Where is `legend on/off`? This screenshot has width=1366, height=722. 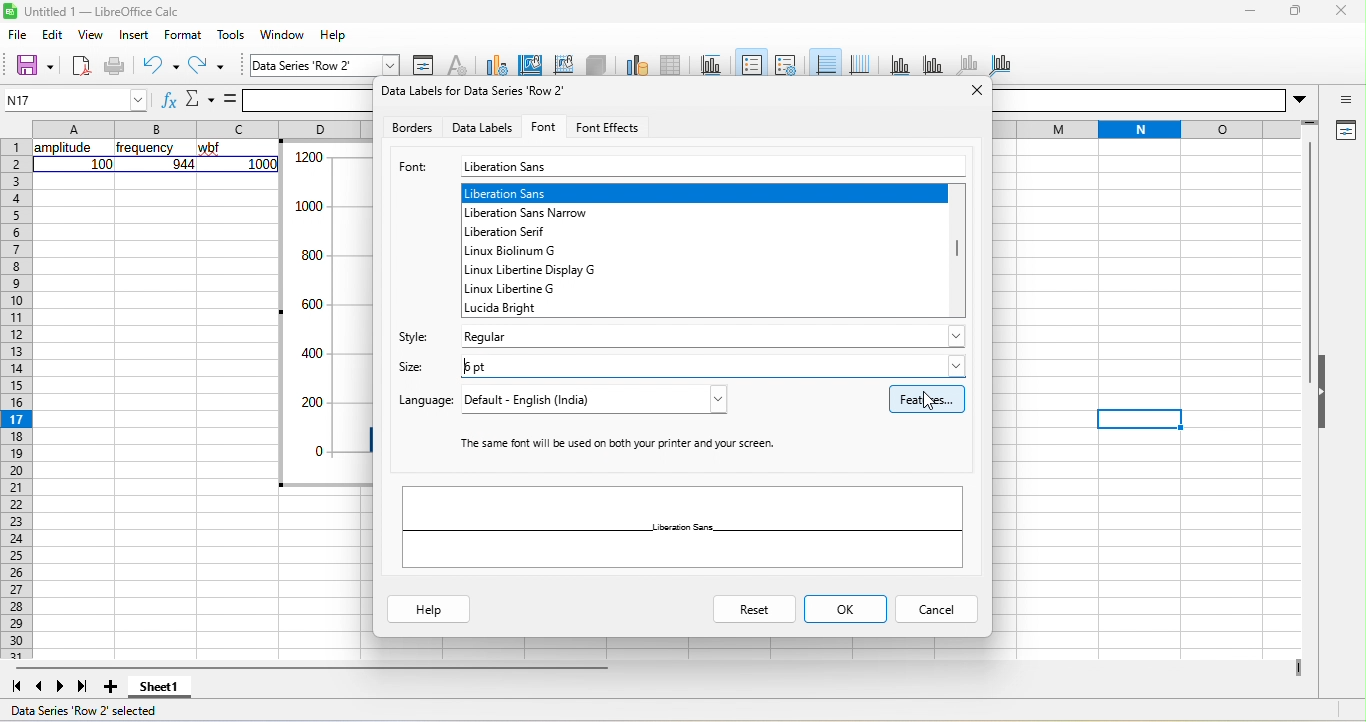
legend on/off is located at coordinates (750, 62).